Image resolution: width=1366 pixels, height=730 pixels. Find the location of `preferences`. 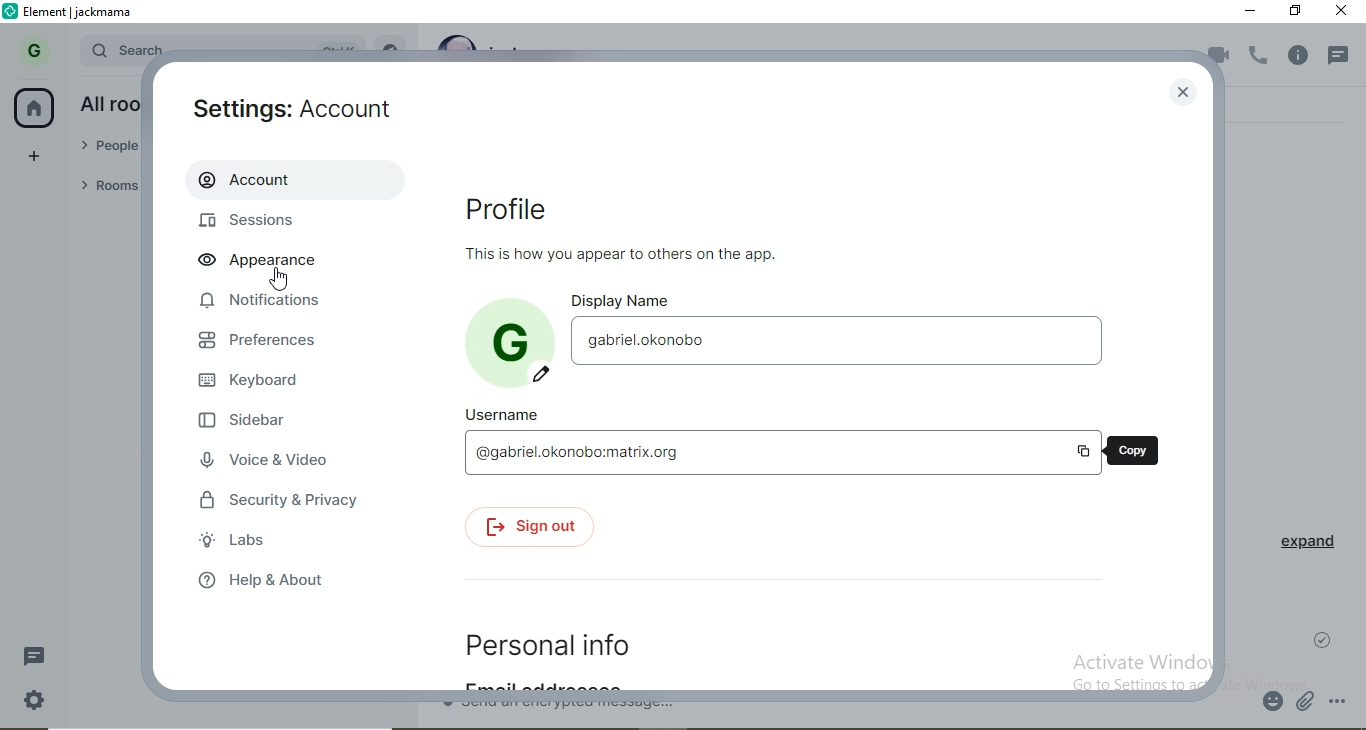

preferences is located at coordinates (273, 340).